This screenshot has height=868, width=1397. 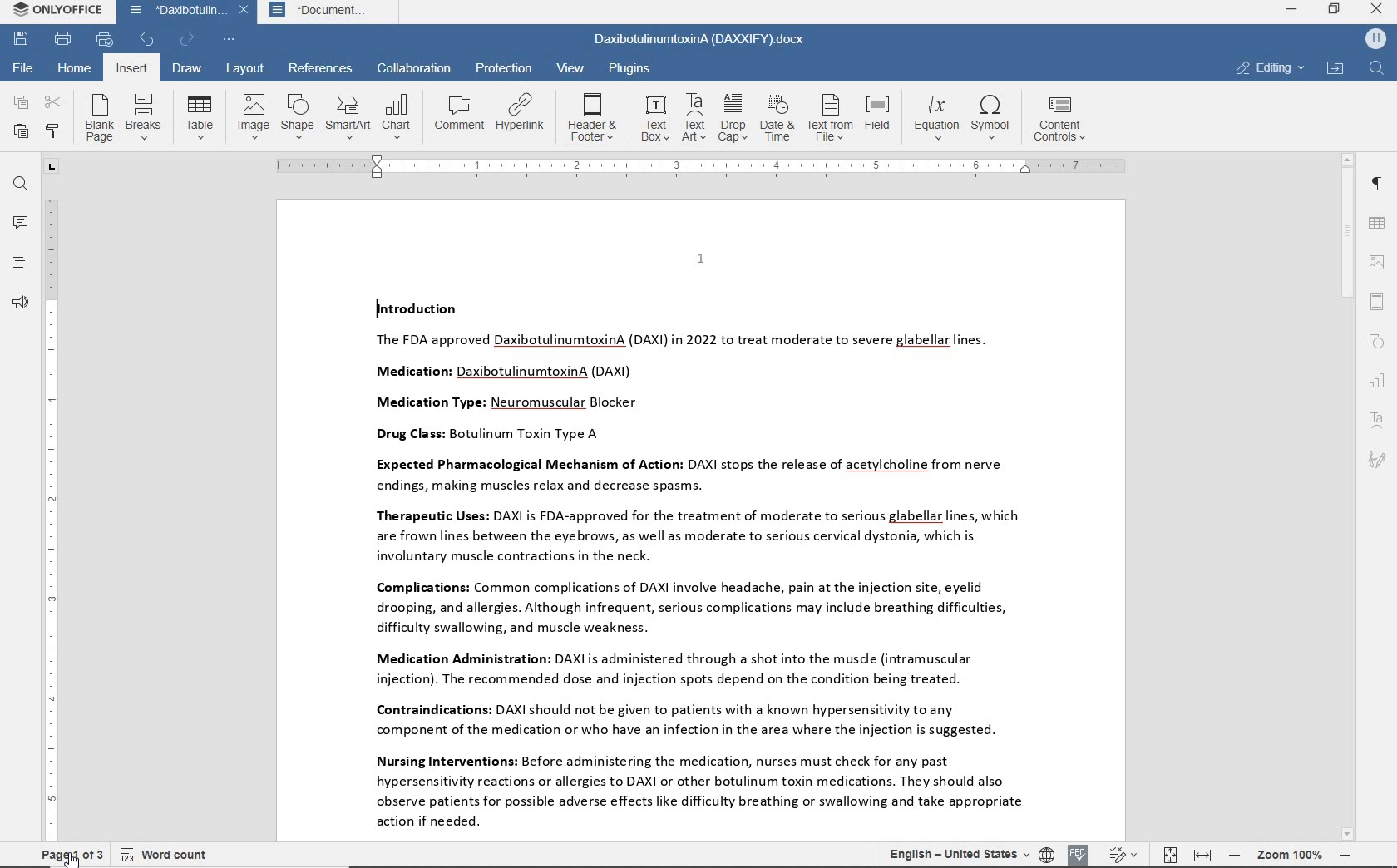 What do you see at coordinates (22, 186) in the screenshot?
I see `find` at bounding box center [22, 186].